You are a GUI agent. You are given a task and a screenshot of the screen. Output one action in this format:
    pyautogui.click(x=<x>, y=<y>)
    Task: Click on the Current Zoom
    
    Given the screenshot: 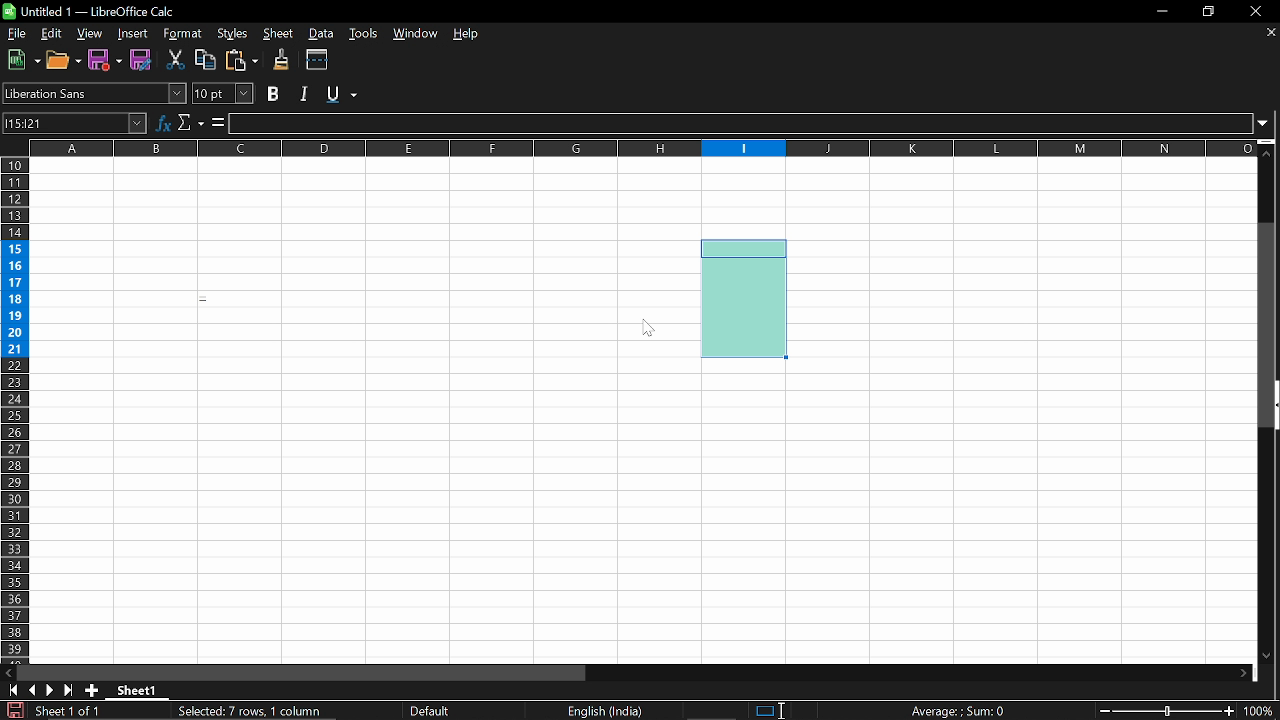 What is the action you would take?
    pyautogui.click(x=1262, y=712)
    